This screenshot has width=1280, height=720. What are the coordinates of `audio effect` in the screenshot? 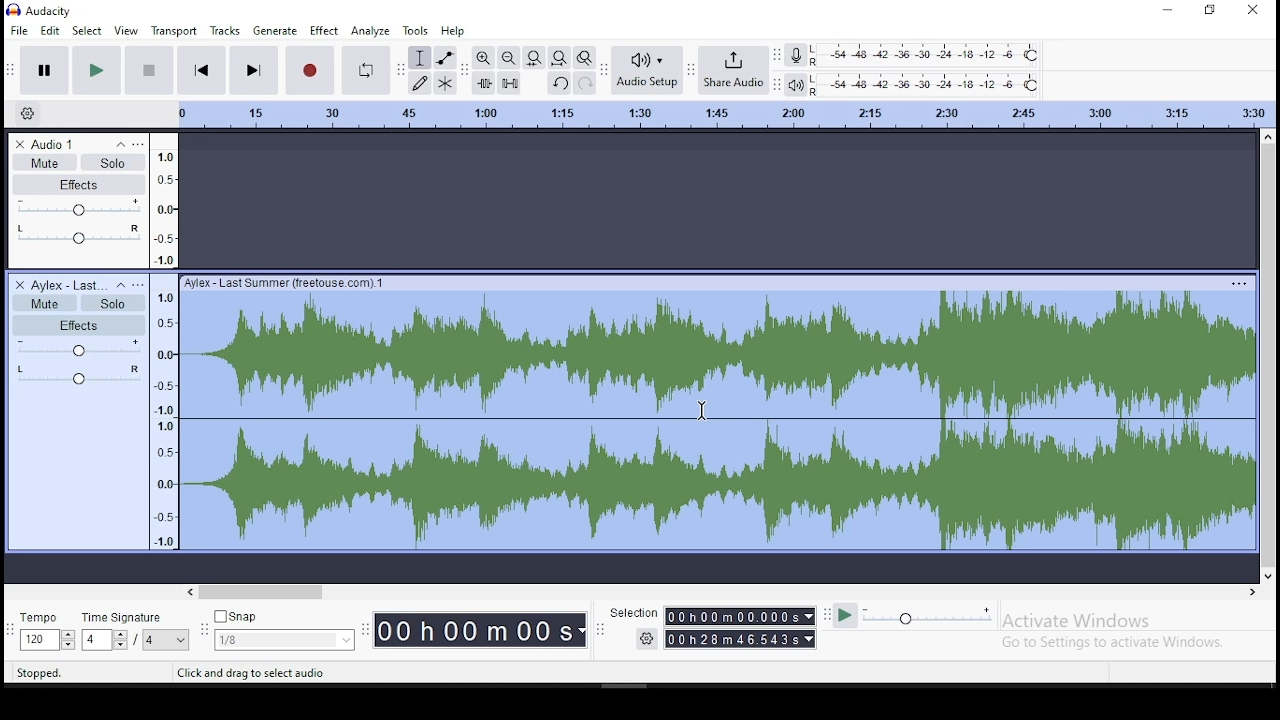 It's located at (77, 242).